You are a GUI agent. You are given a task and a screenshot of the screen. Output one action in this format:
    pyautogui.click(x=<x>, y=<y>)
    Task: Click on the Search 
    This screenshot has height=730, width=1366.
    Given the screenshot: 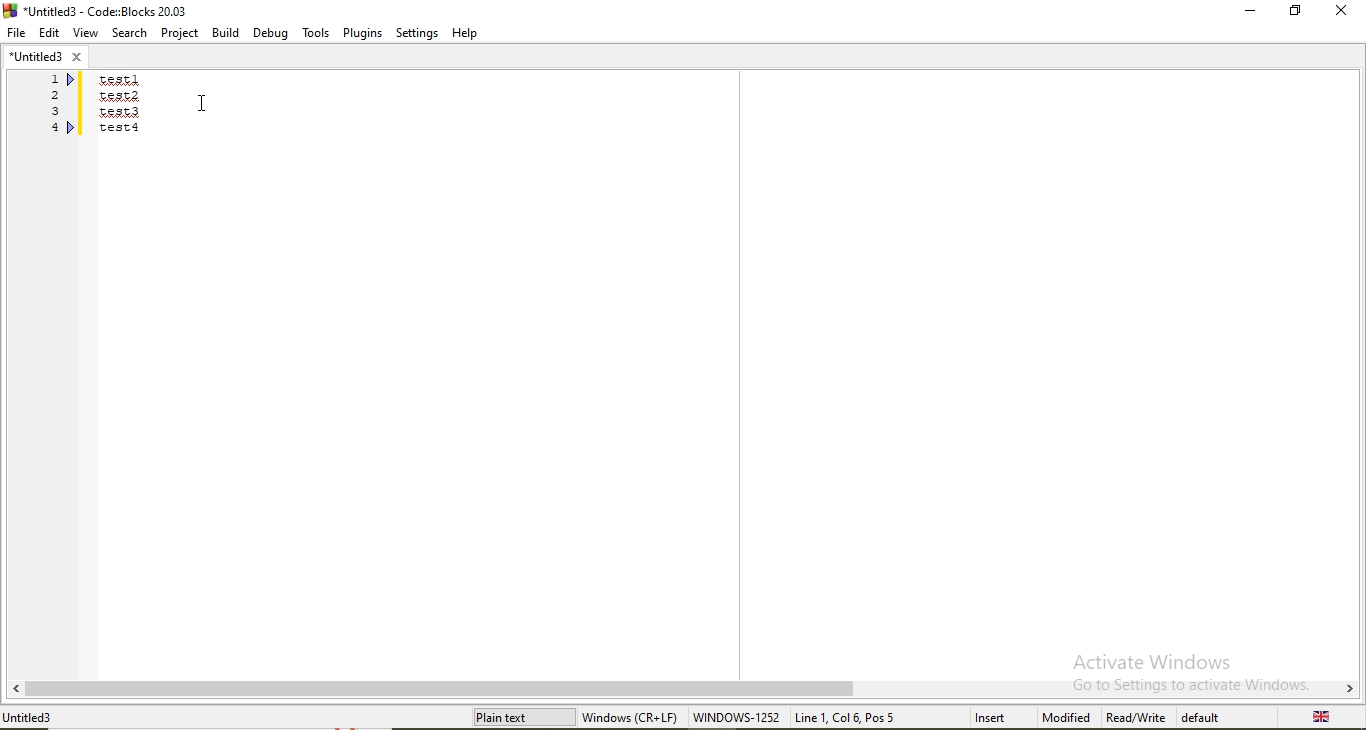 What is the action you would take?
    pyautogui.click(x=127, y=32)
    